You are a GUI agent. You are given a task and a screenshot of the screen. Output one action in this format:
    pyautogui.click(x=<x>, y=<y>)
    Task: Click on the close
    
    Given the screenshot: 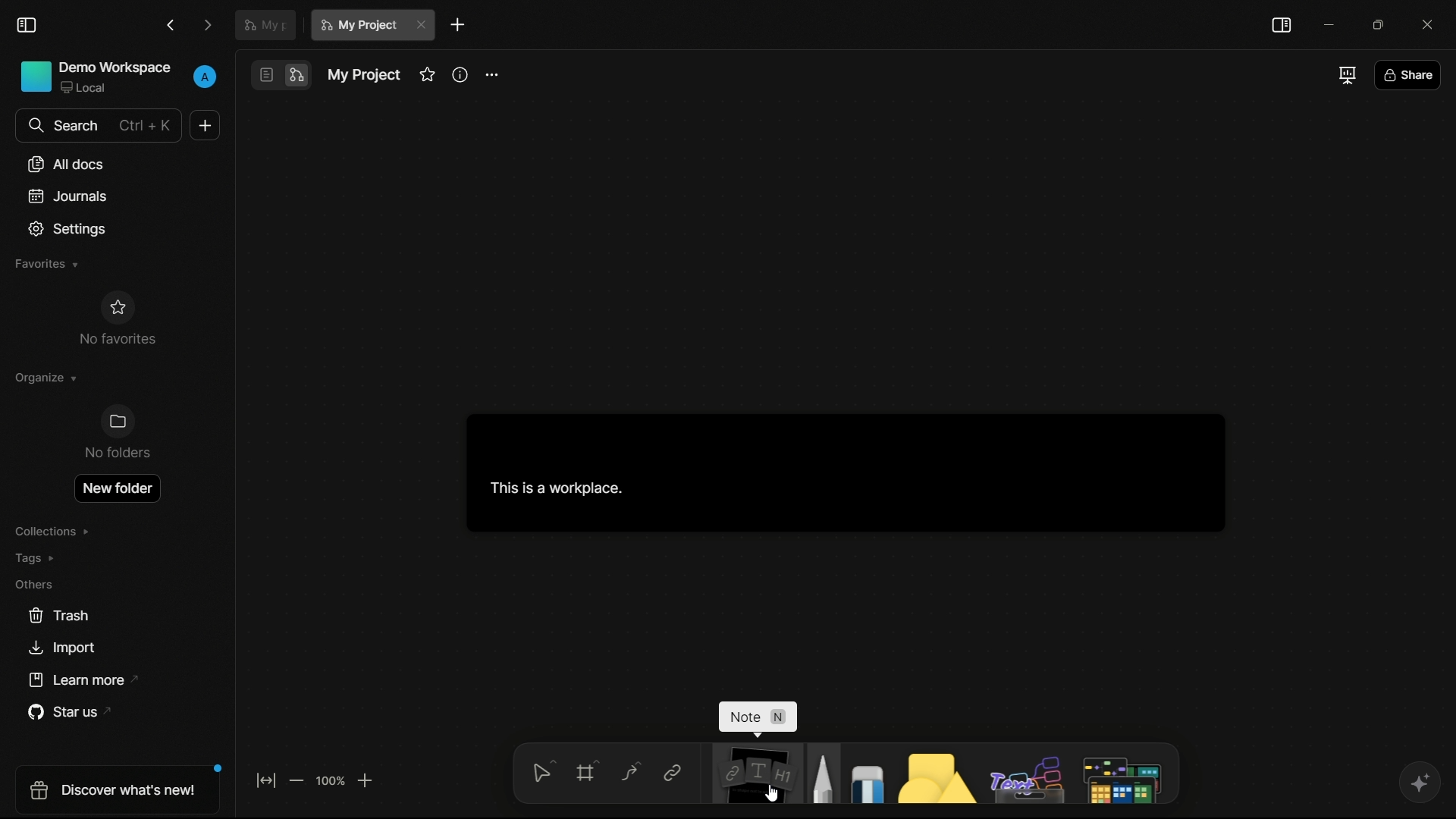 What is the action you would take?
    pyautogui.click(x=422, y=25)
    